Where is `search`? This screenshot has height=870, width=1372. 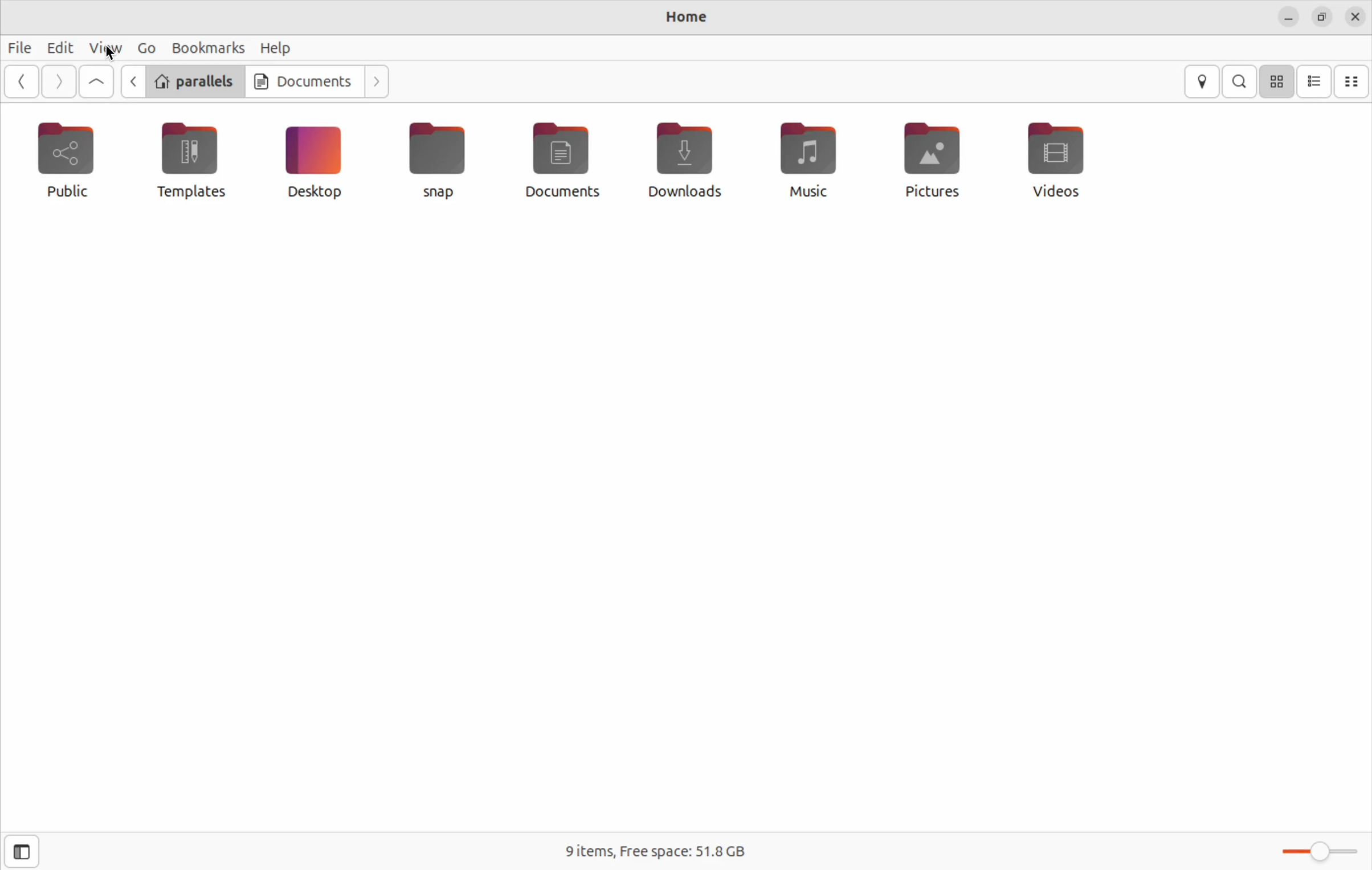 search is located at coordinates (1240, 81).